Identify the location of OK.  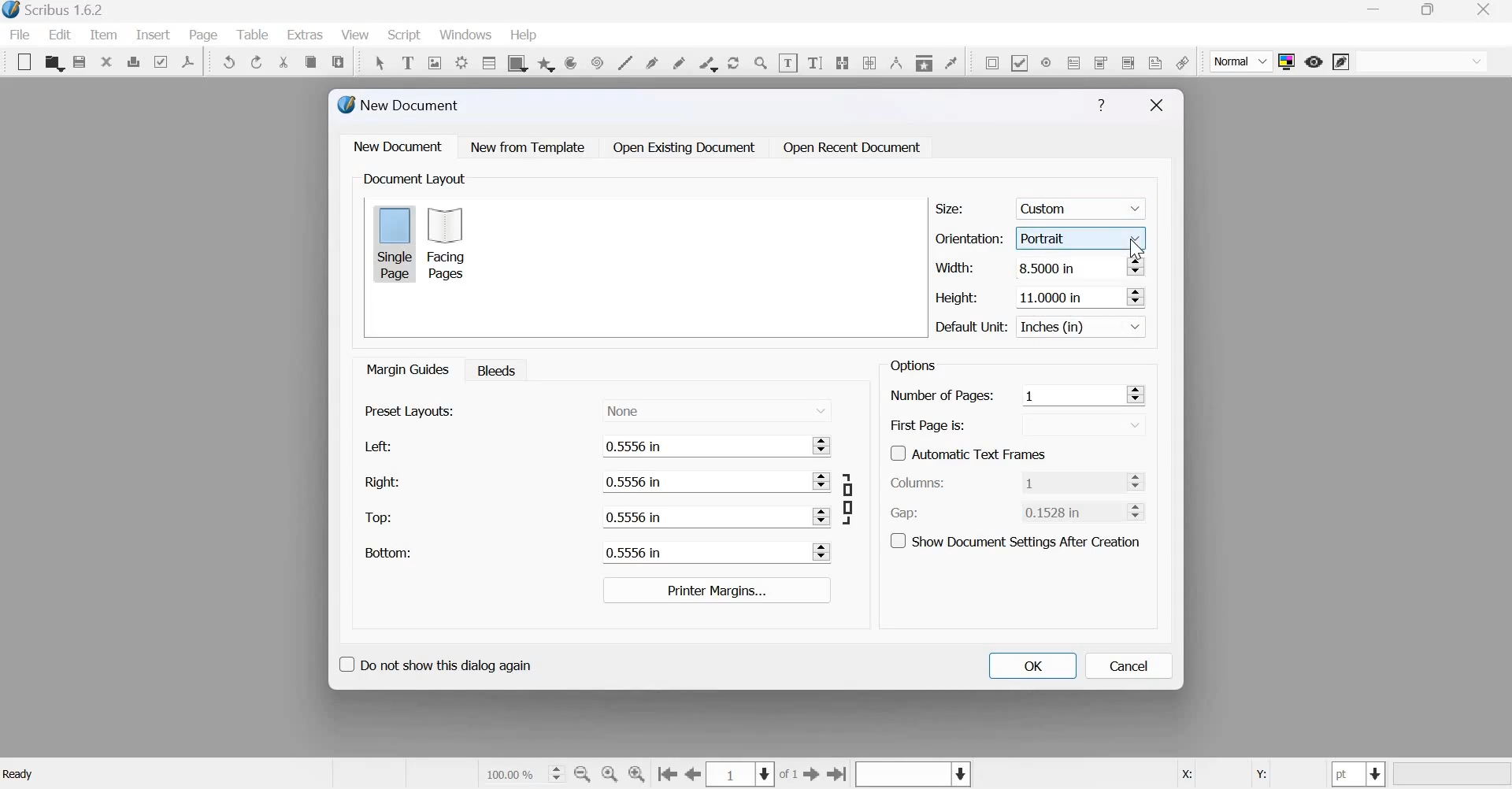
(1032, 665).